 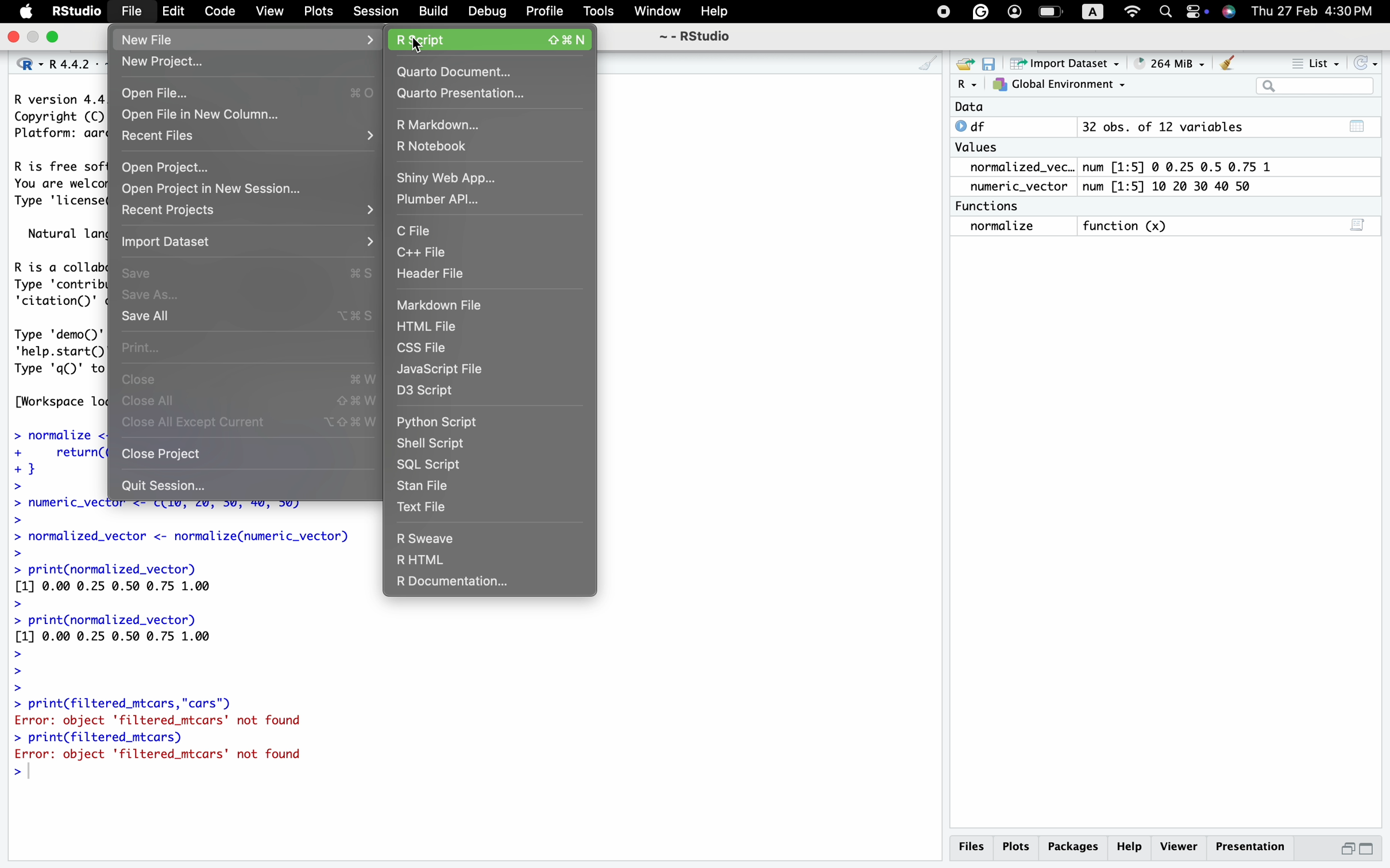 I want to click on clear console, so click(x=924, y=63).